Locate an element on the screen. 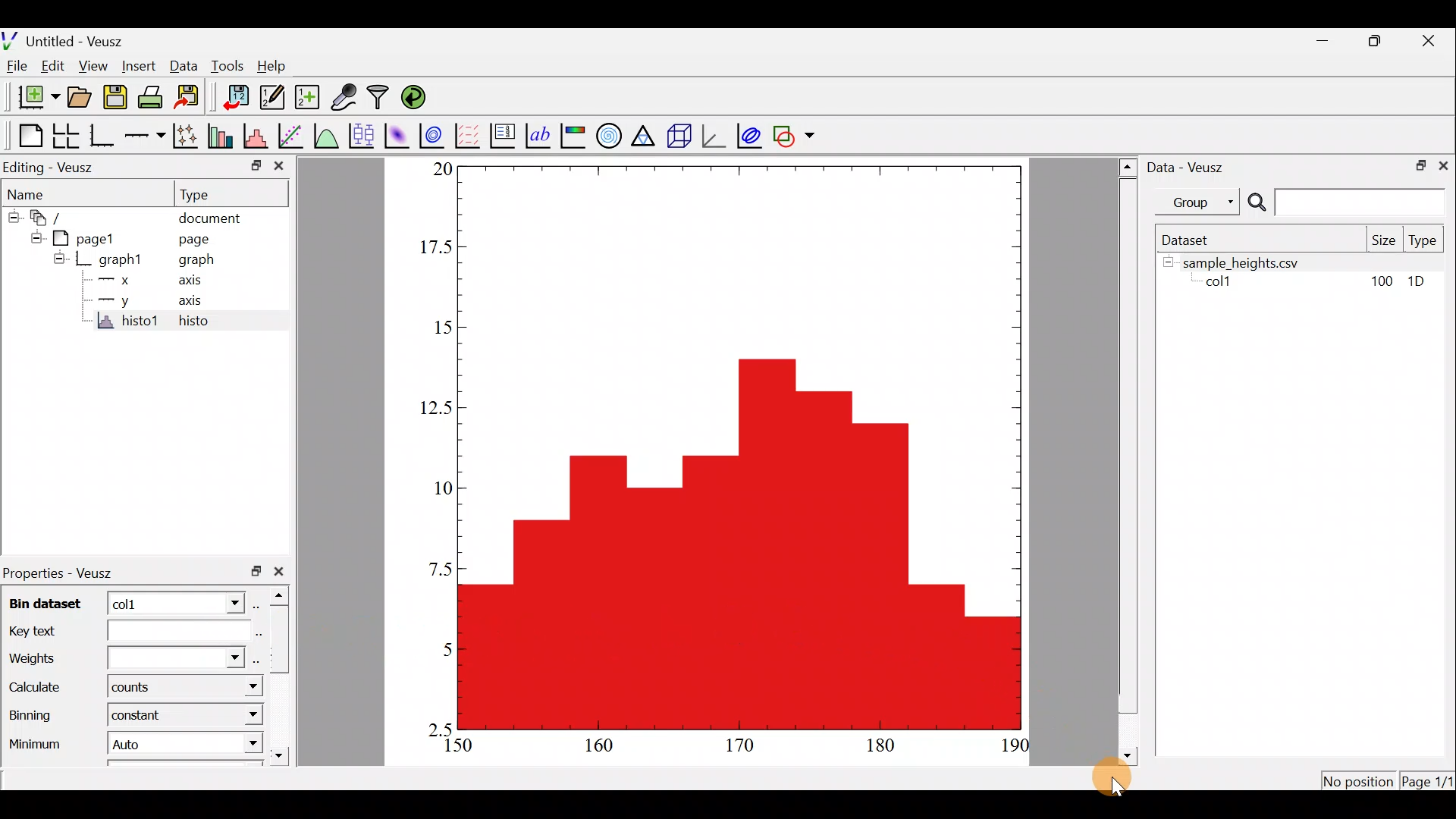 The image size is (1456, 819). restore down is located at coordinates (256, 573).